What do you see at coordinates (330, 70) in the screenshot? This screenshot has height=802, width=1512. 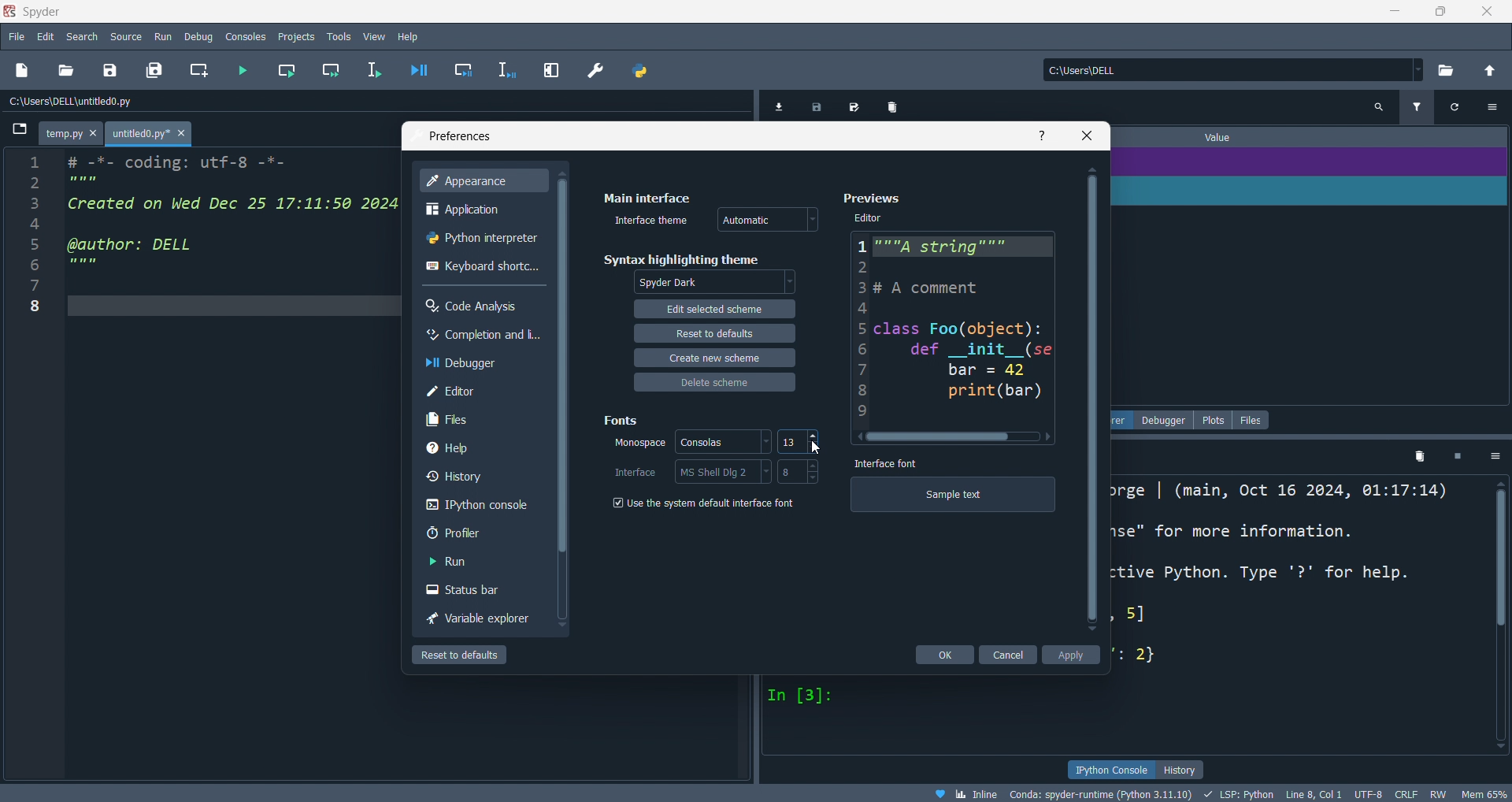 I see `run cell and move` at bounding box center [330, 70].